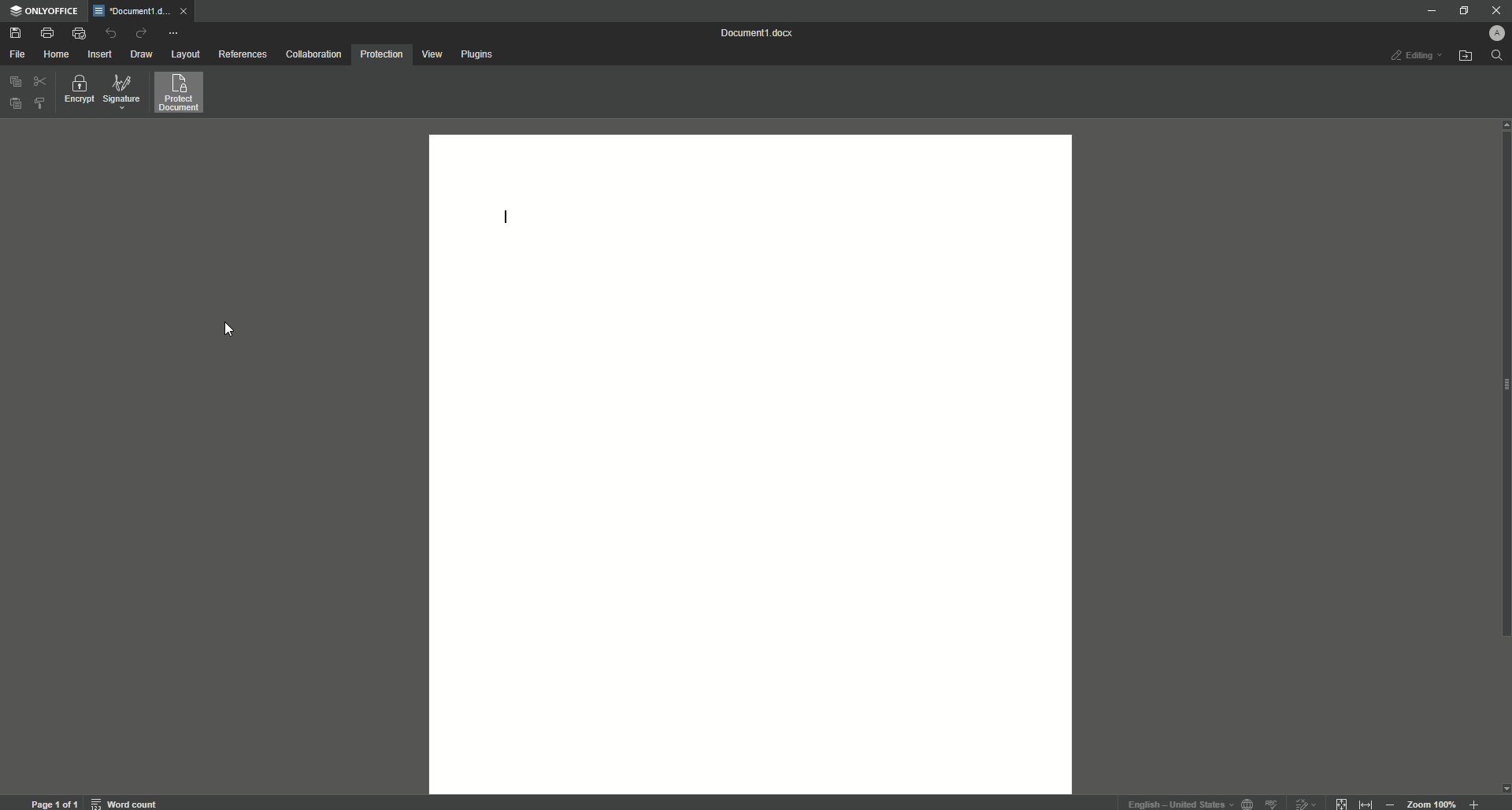 Image resolution: width=1512 pixels, height=810 pixels. What do you see at coordinates (1390, 803) in the screenshot?
I see `Zoom out` at bounding box center [1390, 803].